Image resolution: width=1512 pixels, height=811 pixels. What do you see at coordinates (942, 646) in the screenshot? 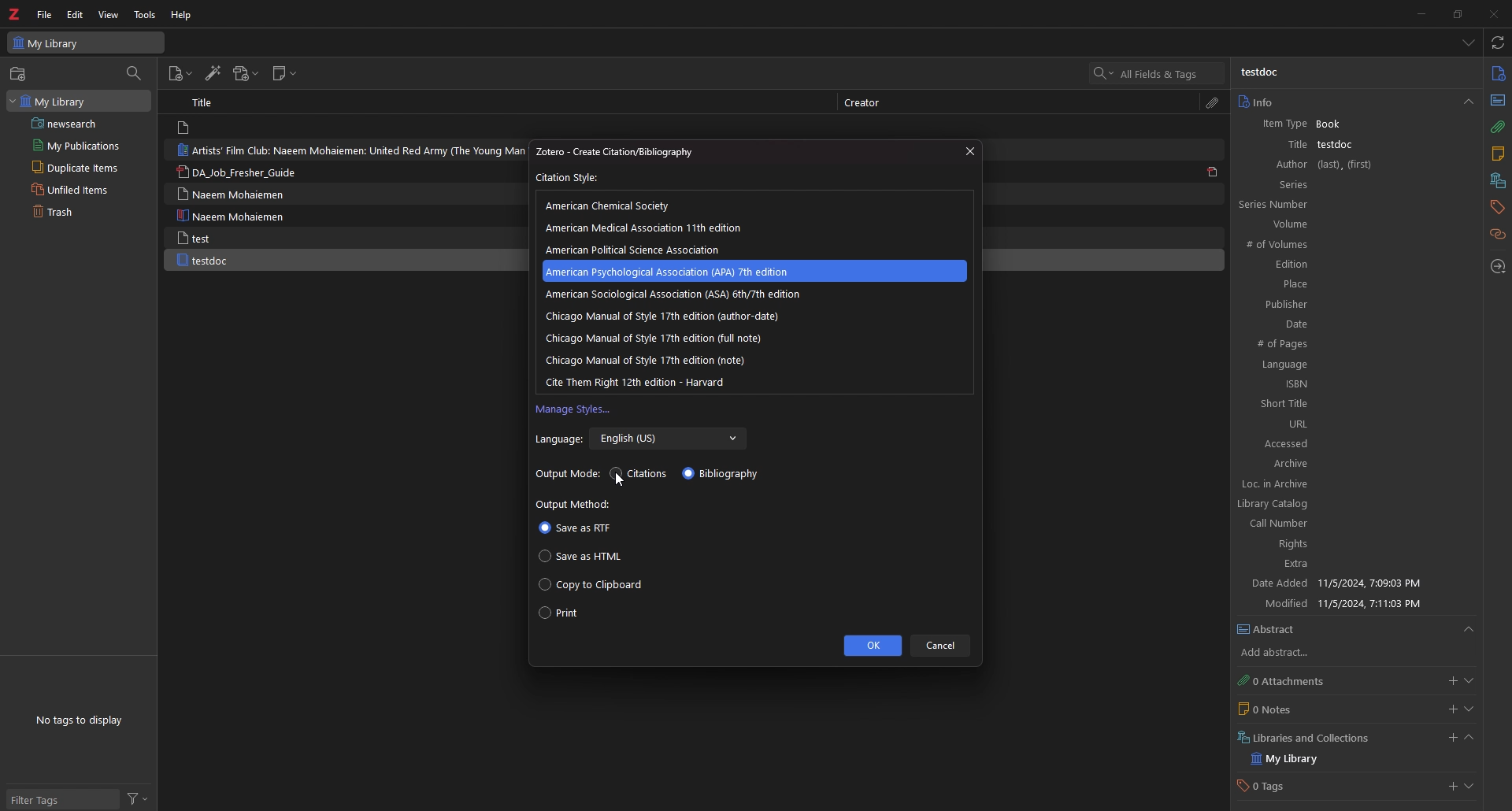
I see `cancel` at bounding box center [942, 646].